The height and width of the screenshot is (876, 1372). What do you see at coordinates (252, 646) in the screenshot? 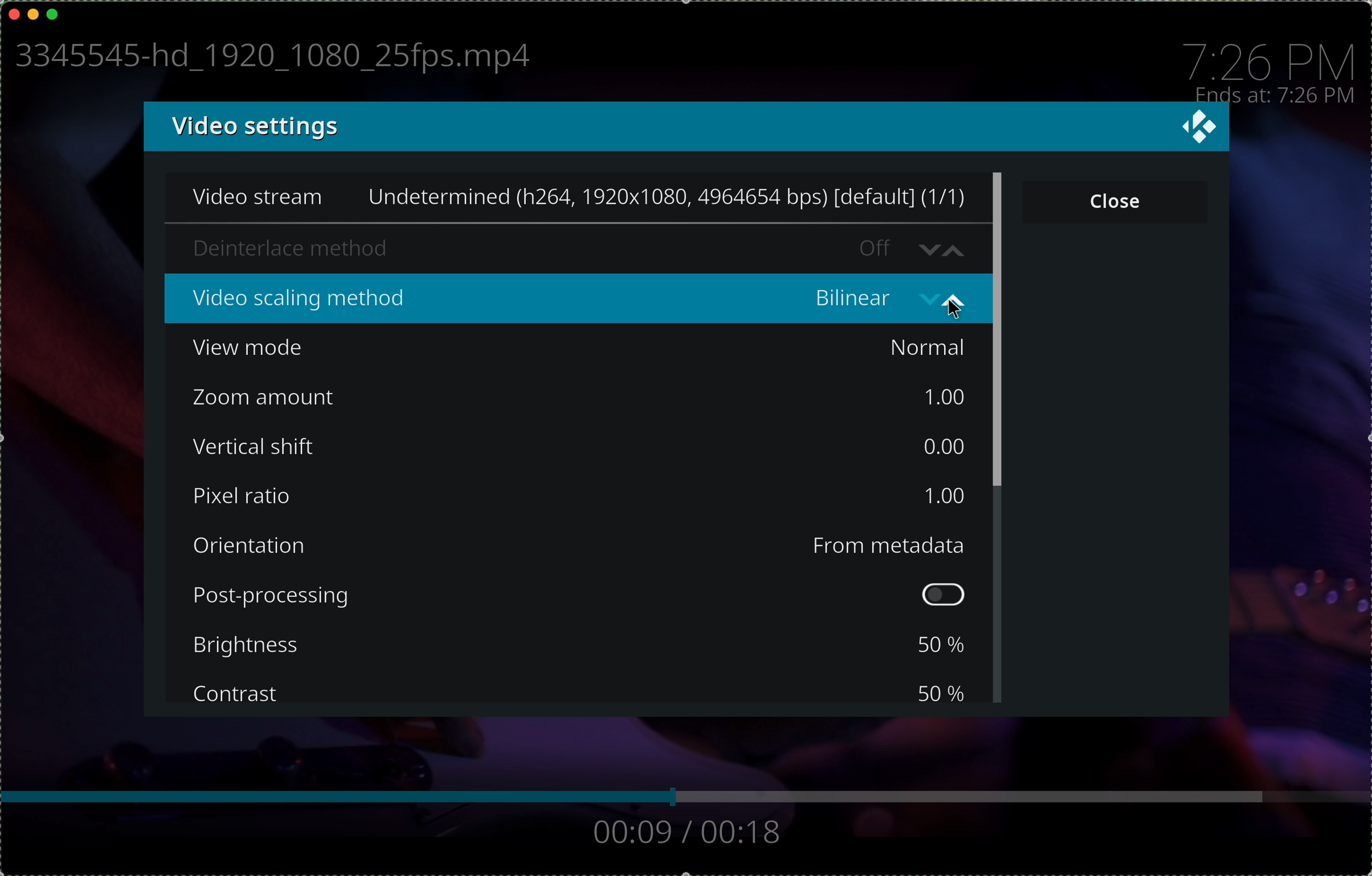
I see `brightness` at bounding box center [252, 646].